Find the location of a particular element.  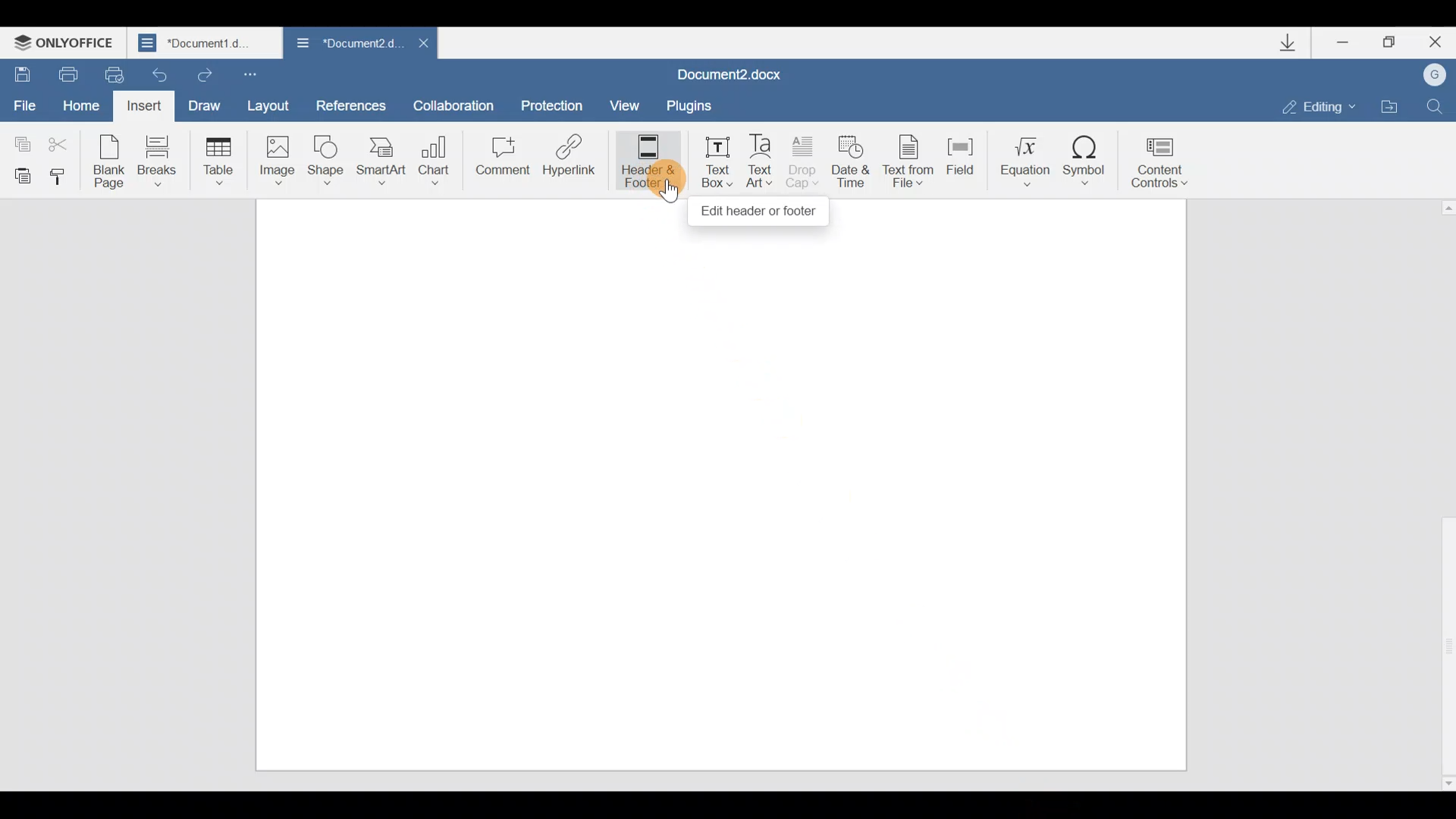

Redo is located at coordinates (206, 77).